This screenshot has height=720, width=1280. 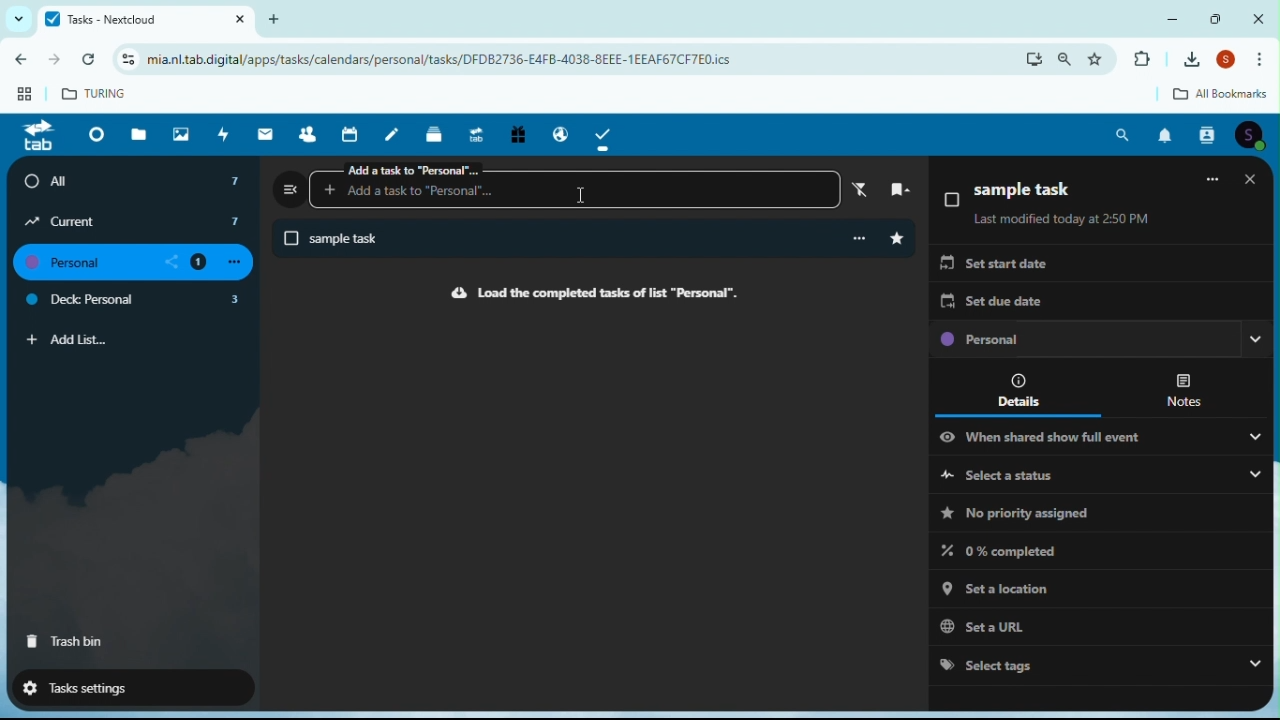 What do you see at coordinates (1258, 18) in the screenshot?
I see `Close` at bounding box center [1258, 18].